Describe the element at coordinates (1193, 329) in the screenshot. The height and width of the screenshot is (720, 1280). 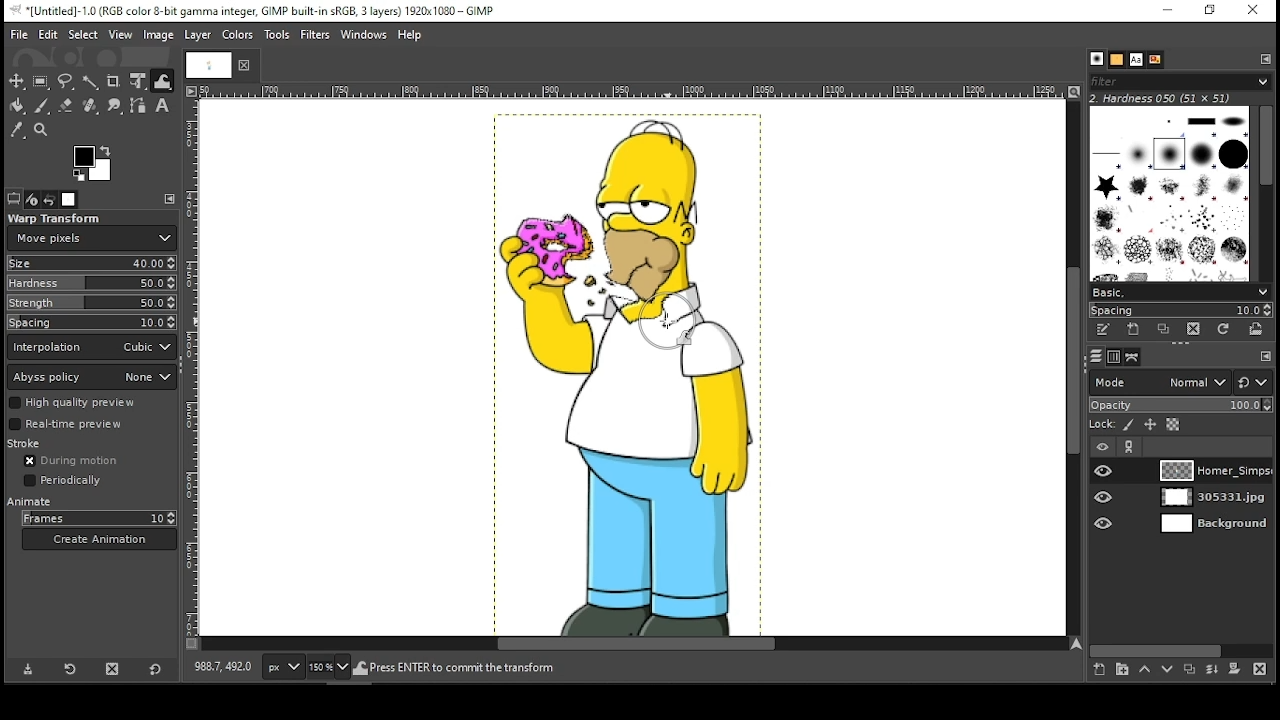
I see `delete brush` at that location.